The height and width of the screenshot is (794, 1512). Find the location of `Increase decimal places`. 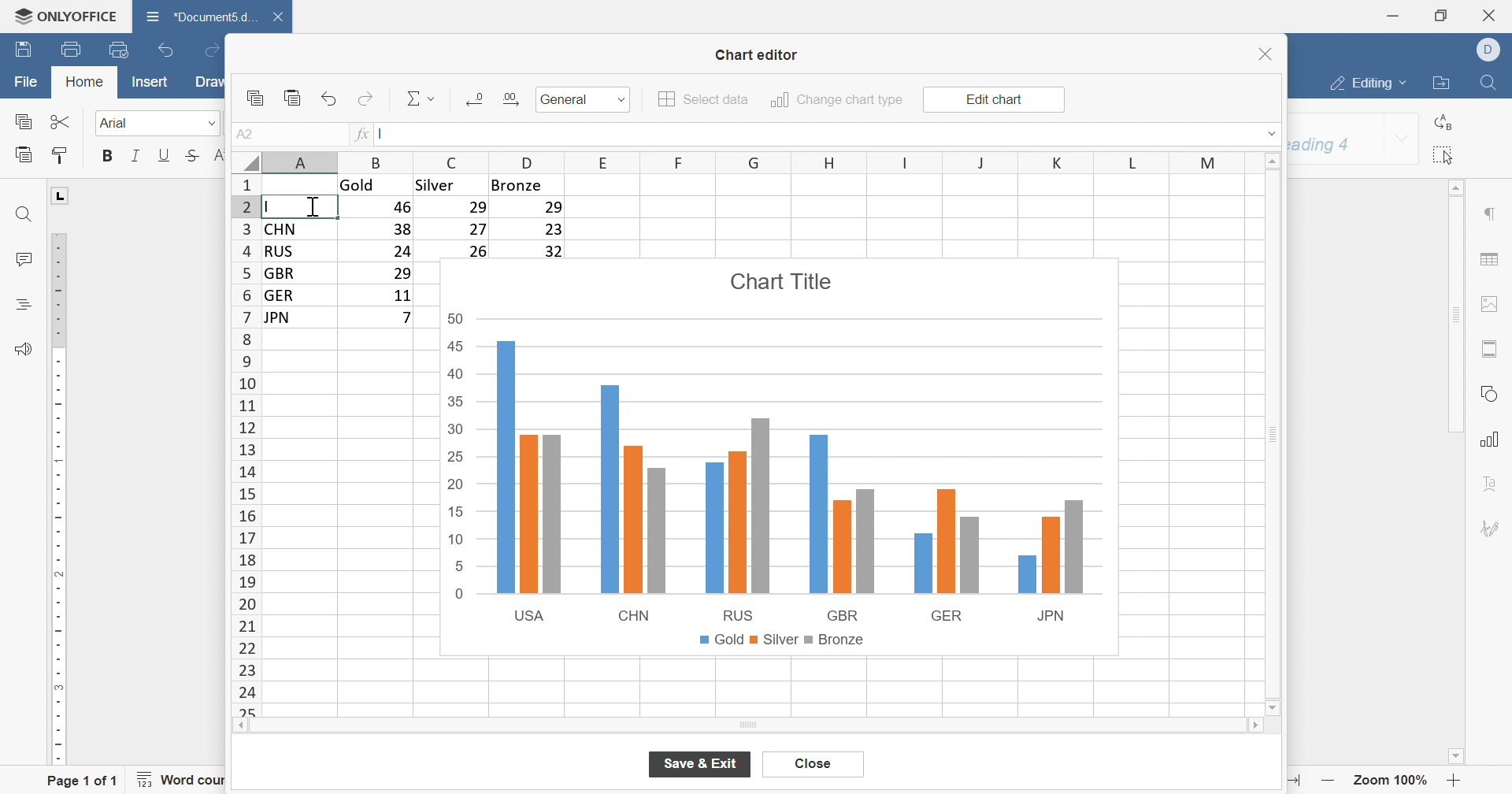

Increase decimal places is located at coordinates (510, 98).